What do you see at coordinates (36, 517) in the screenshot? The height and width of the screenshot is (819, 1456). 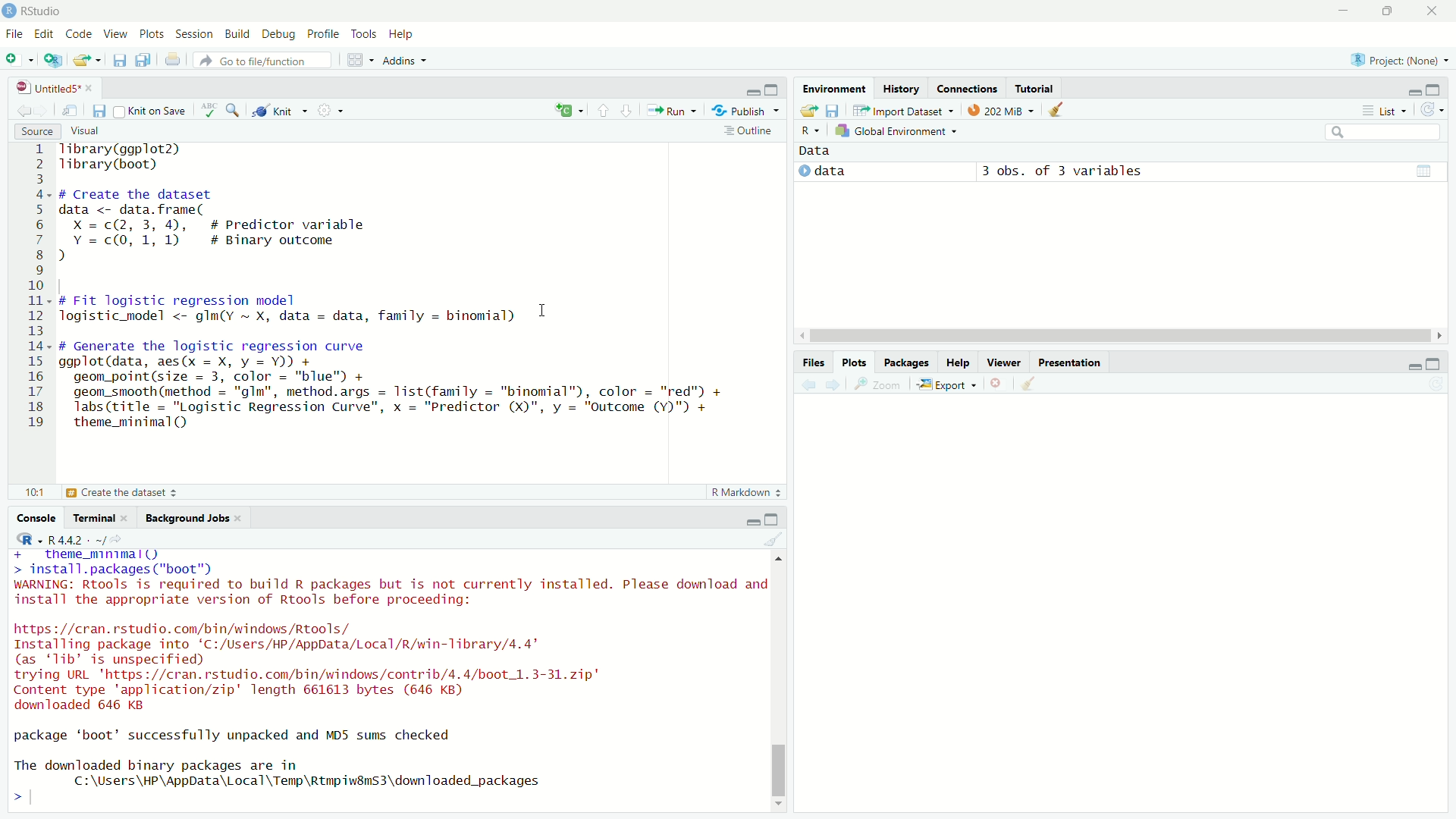 I see `Console` at bounding box center [36, 517].